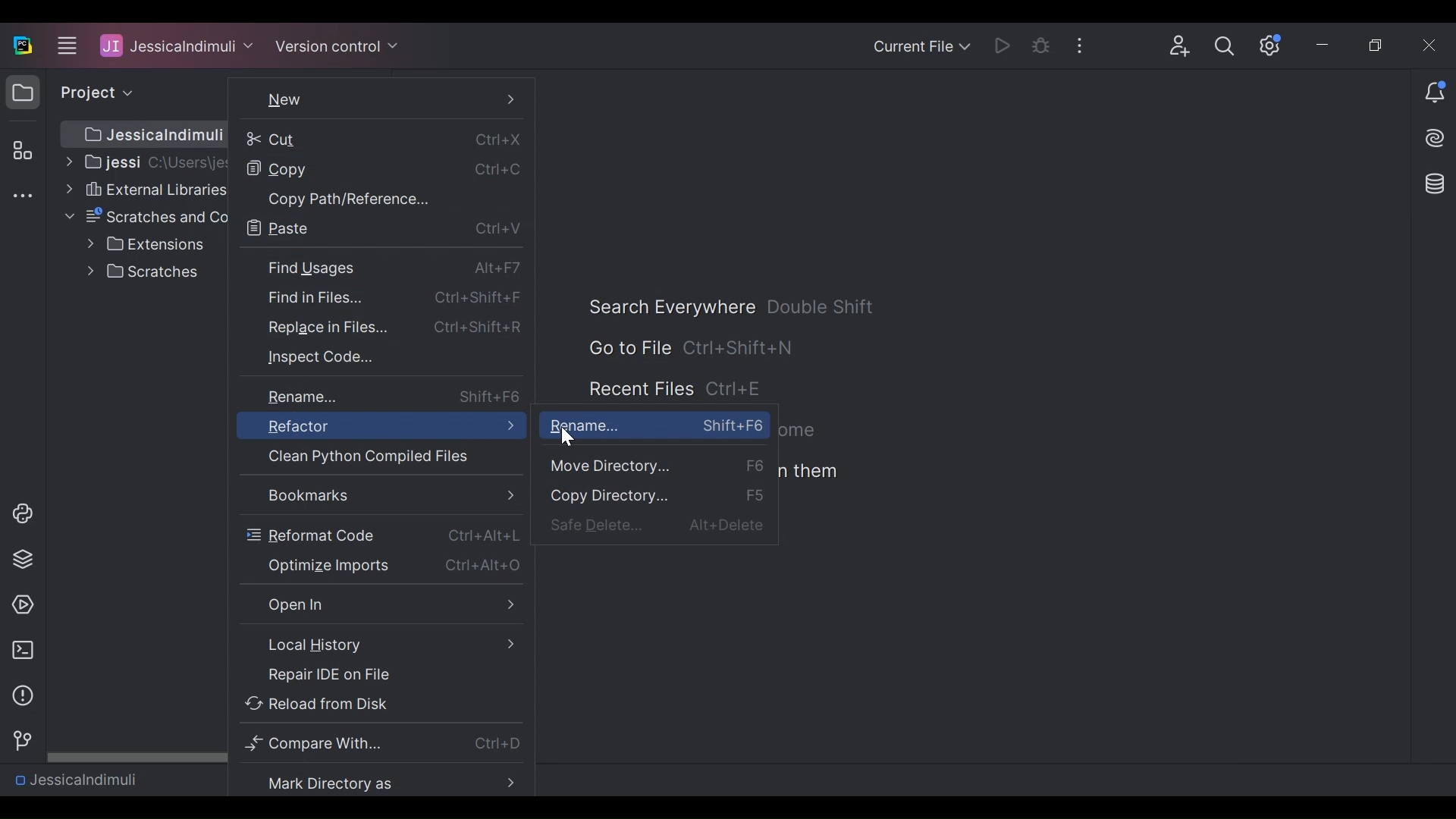 Image resolution: width=1456 pixels, height=819 pixels. Describe the element at coordinates (379, 199) in the screenshot. I see `Copy Path/References` at that location.